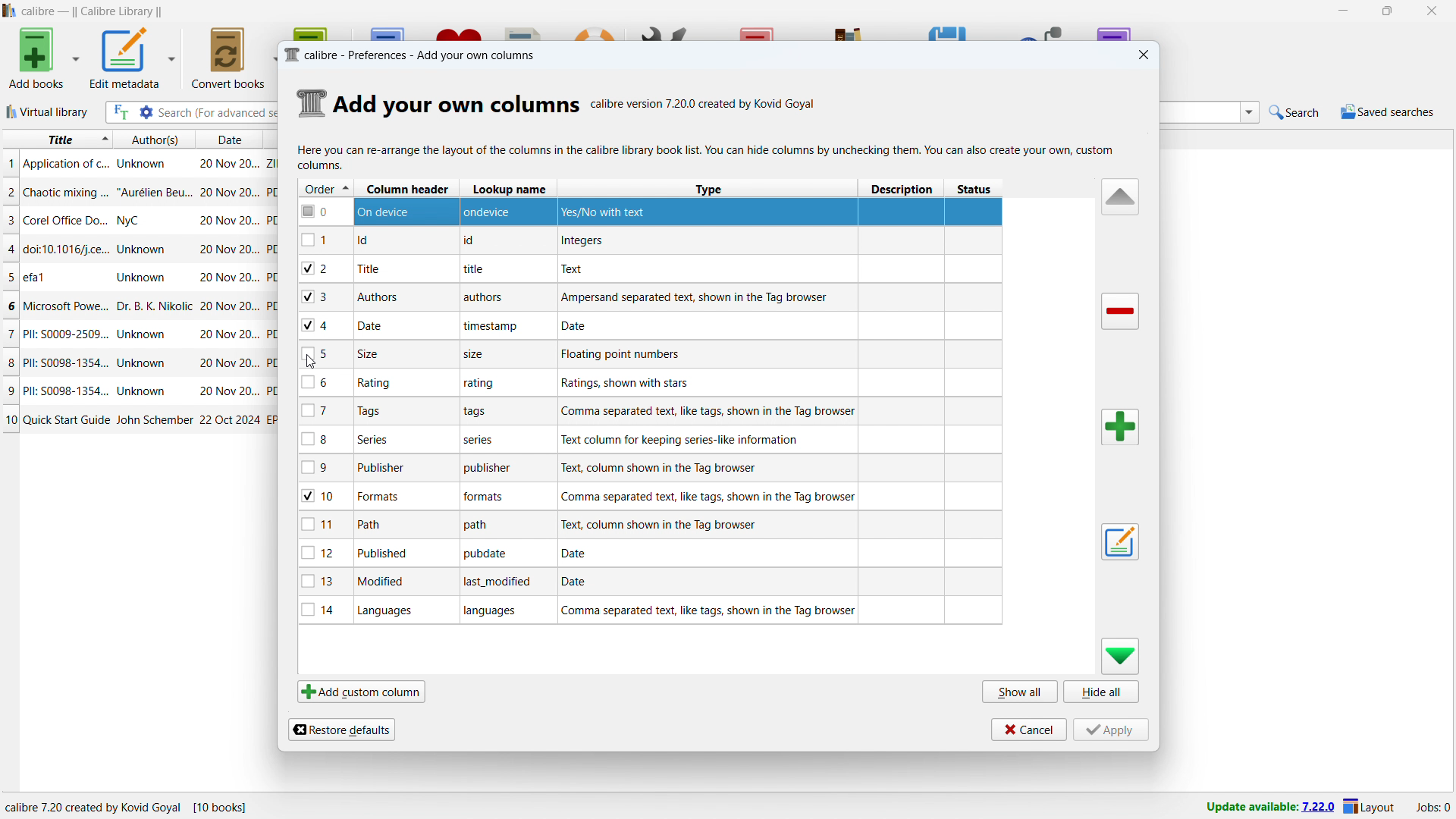 The width and height of the screenshot is (1456, 819). What do you see at coordinates (324, 240) in the screenshot?
I see `1` at bounding box center [324, 240].